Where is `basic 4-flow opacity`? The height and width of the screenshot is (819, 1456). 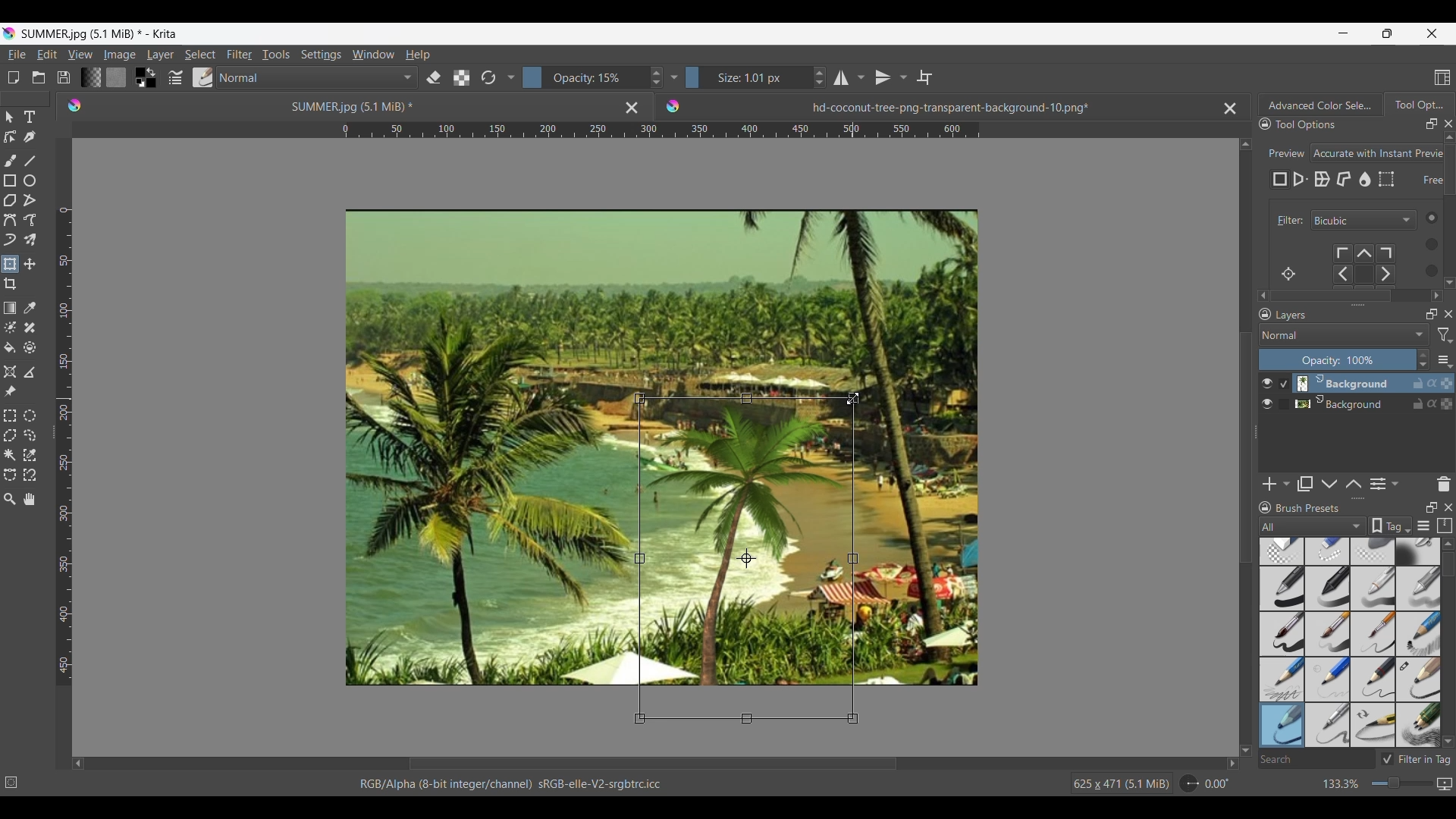
basic 4-flow opacity is located at coordinates (1417, 588).